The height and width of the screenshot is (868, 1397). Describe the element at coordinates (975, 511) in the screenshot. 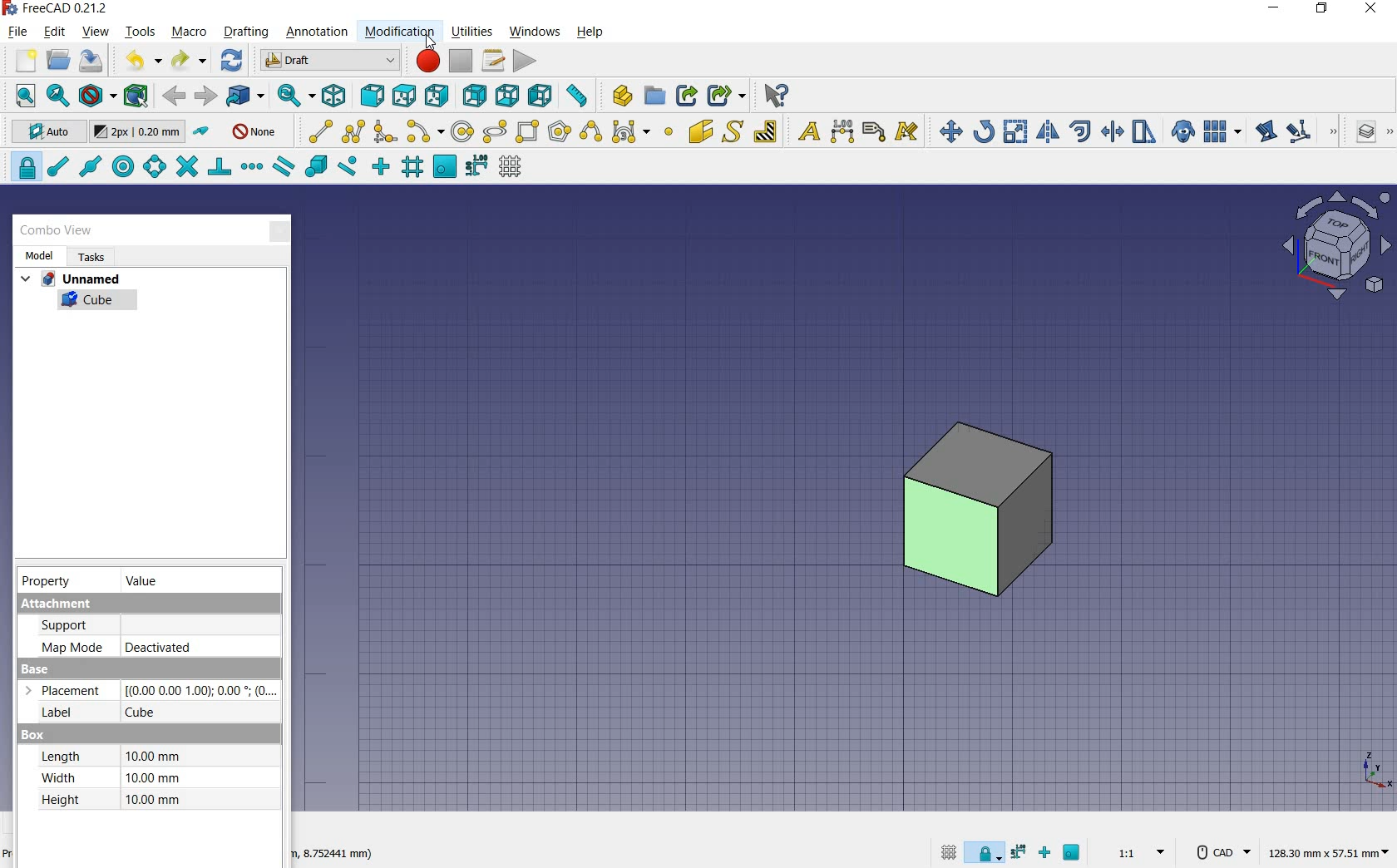

I see `object selected` at that location.